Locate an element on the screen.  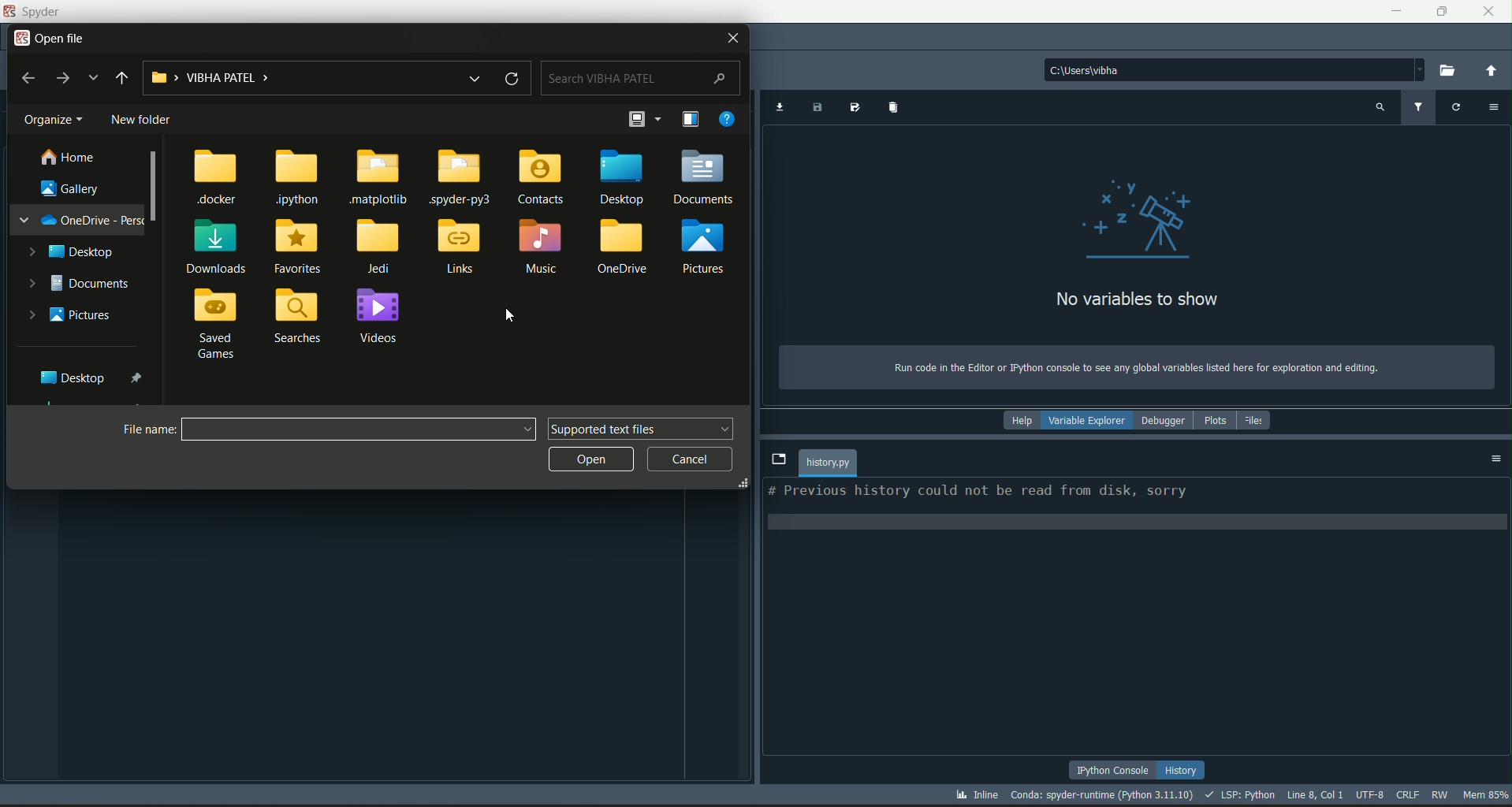
recent files is located at coordinates (472, 78).